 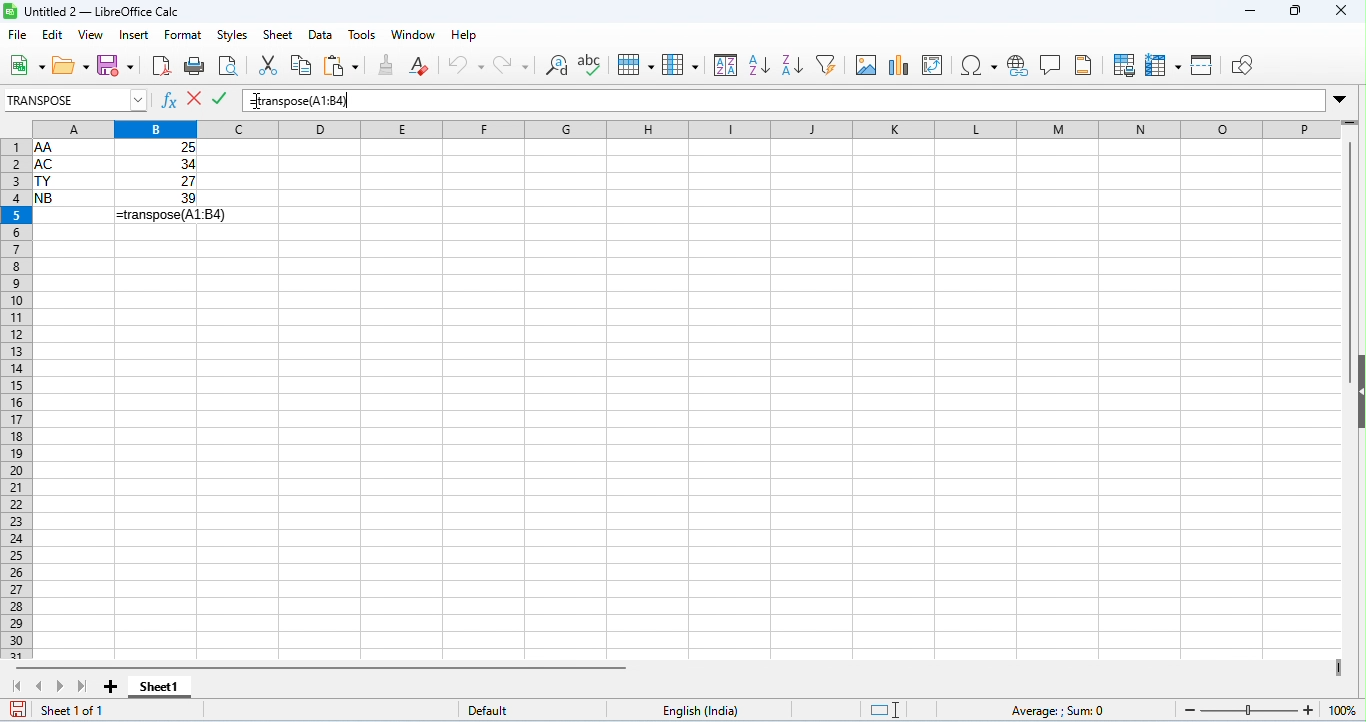 What do you see at coordinates (20, 708) in the screenshot?
I see `save` at bounding box center [20, 708].